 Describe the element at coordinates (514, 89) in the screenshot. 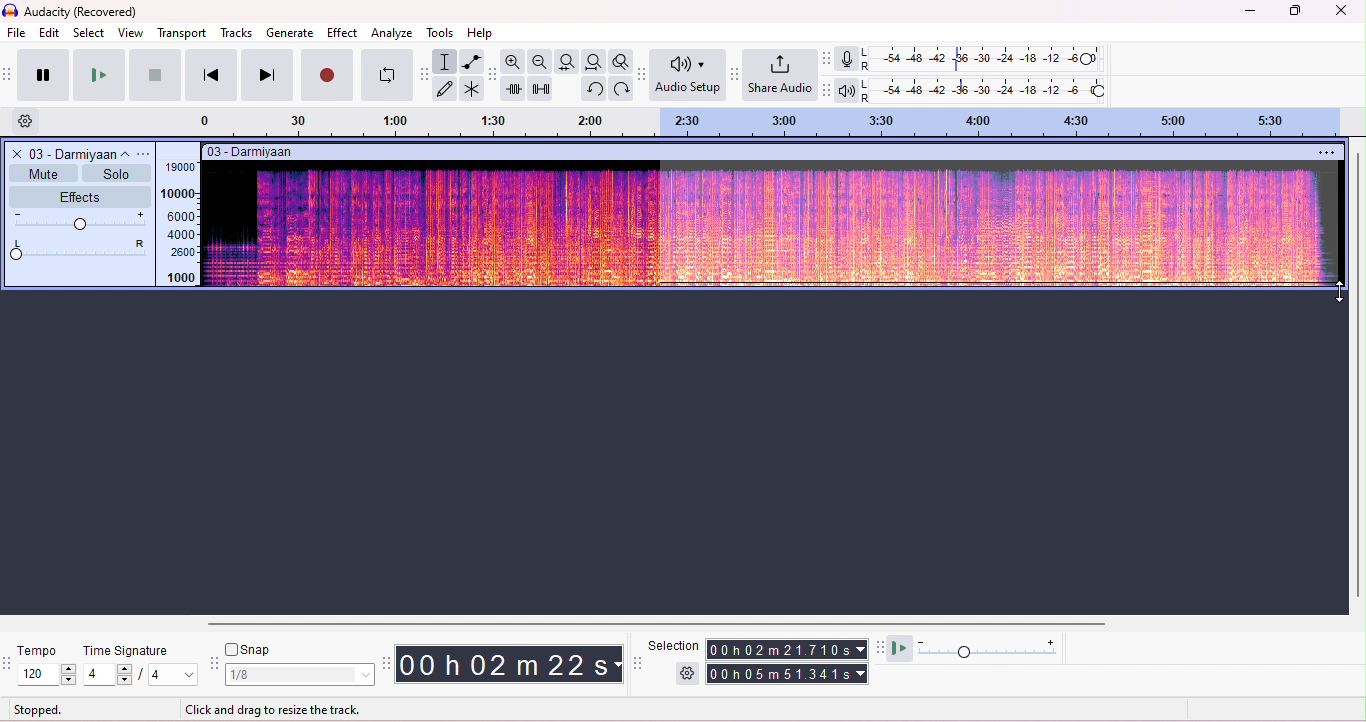

I see `trim outside selection` at that location.